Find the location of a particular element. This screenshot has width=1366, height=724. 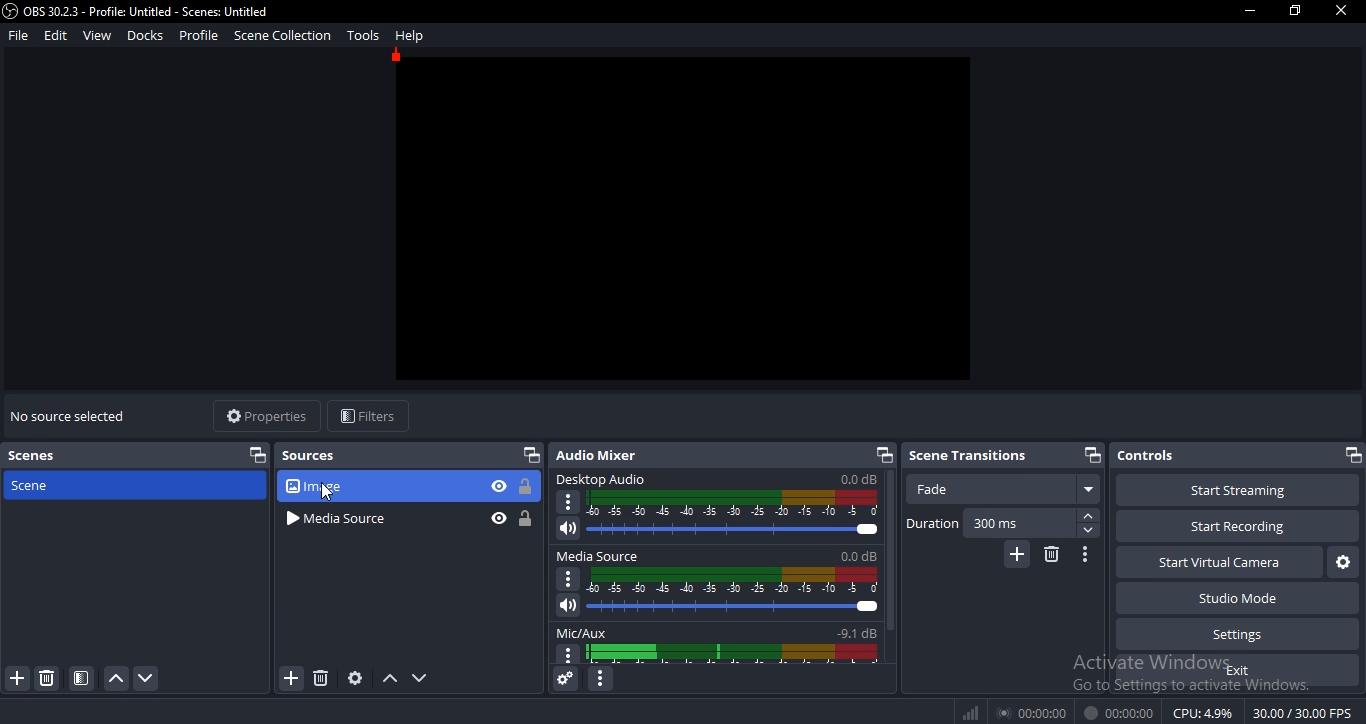

audio display is located at coordinates (734, 503).